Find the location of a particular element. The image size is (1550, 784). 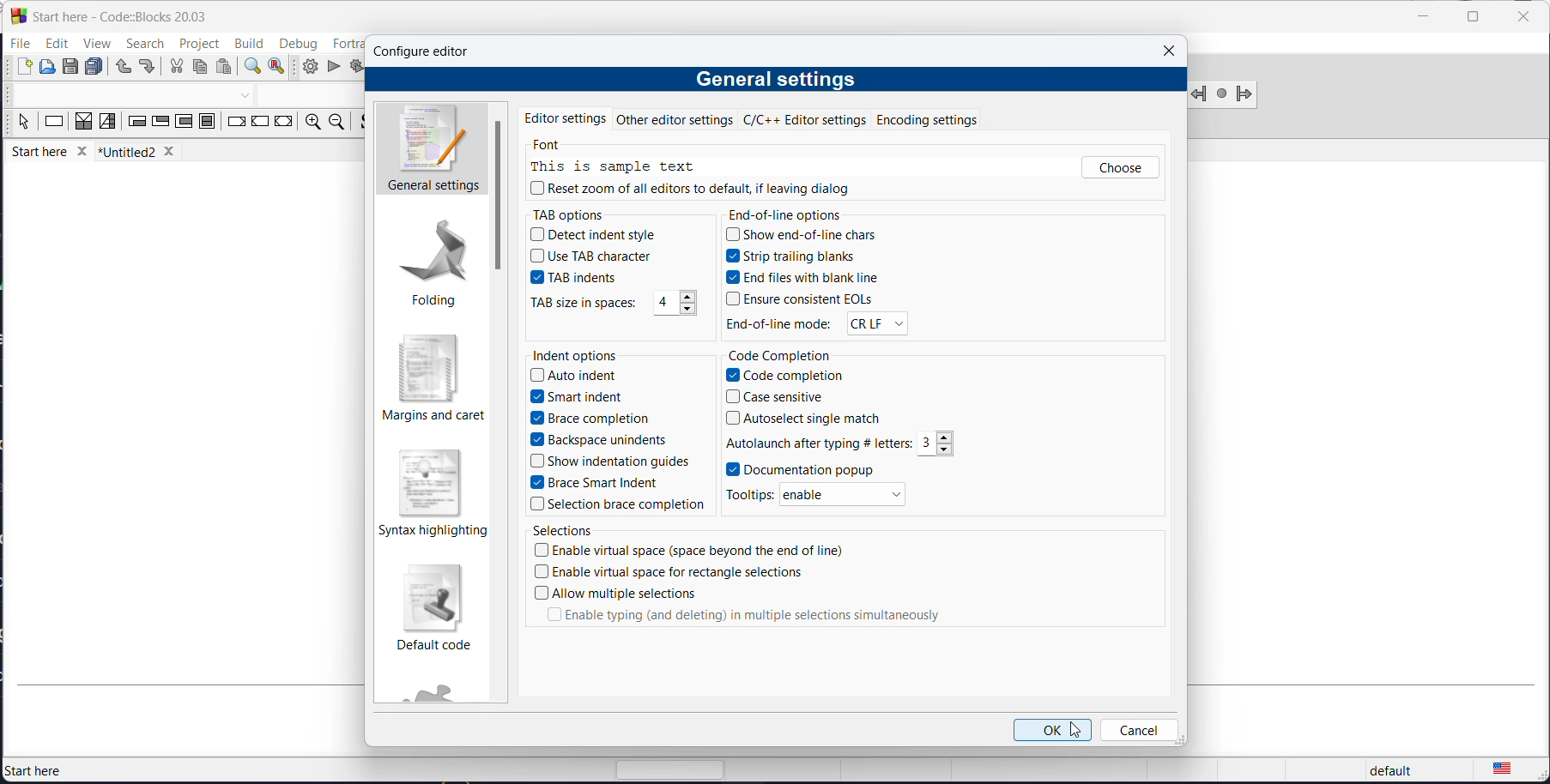

cancel is located at coordinates (1141, 730).